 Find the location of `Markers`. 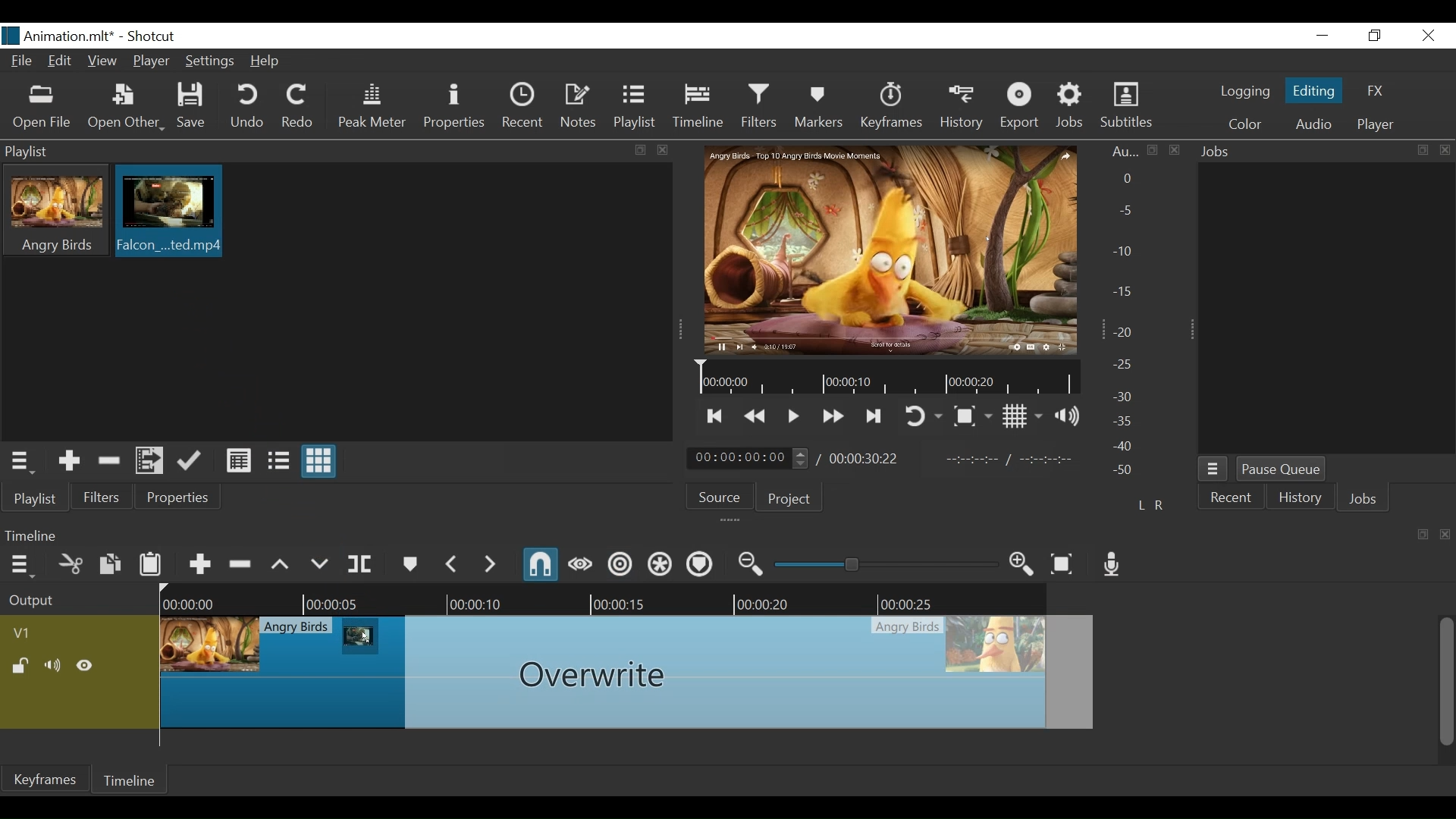

Markers is located at coordinates (820, 107).